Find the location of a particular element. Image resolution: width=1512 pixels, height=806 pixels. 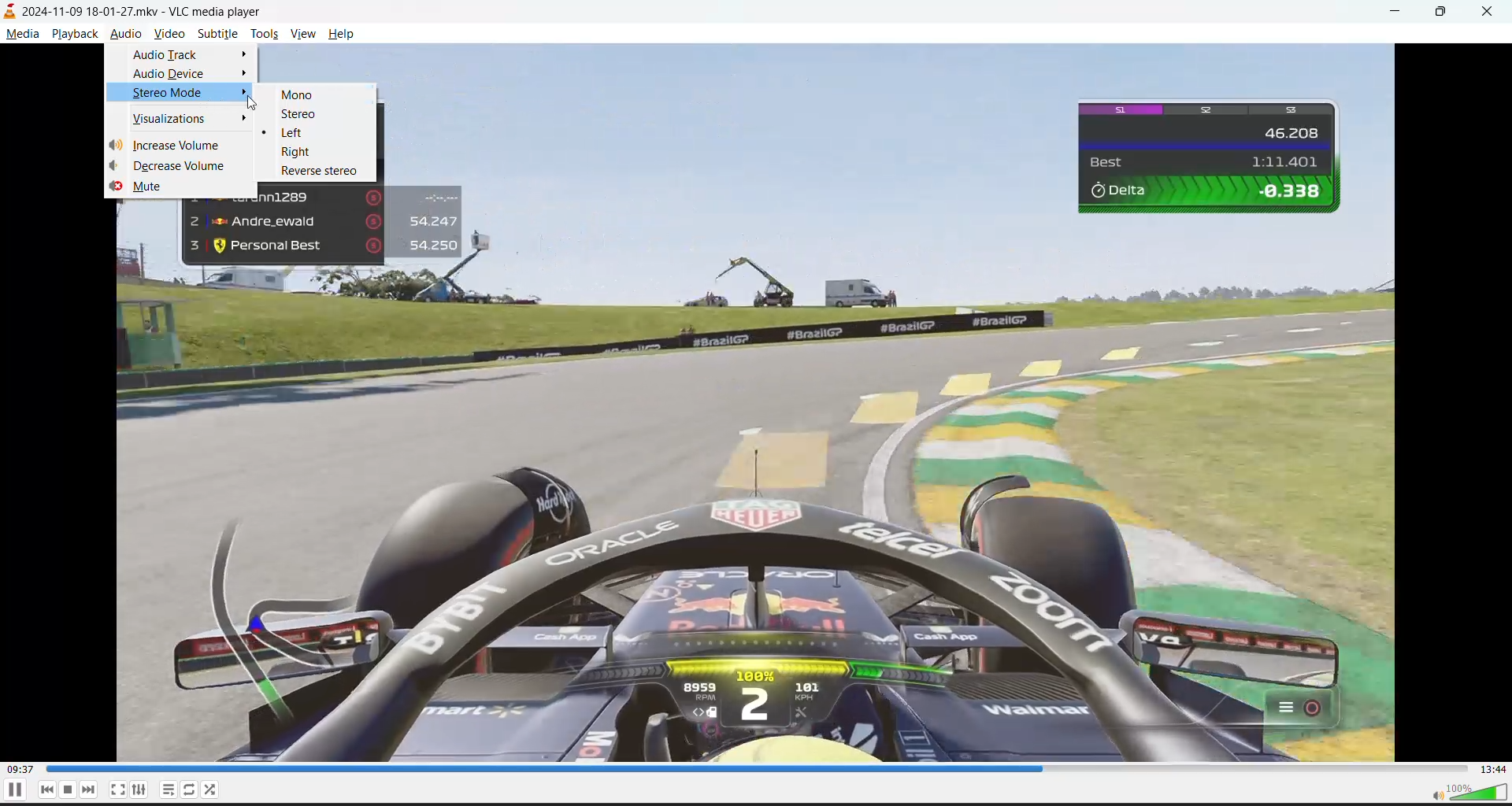

visualizations is located at coordinates (173, 117).